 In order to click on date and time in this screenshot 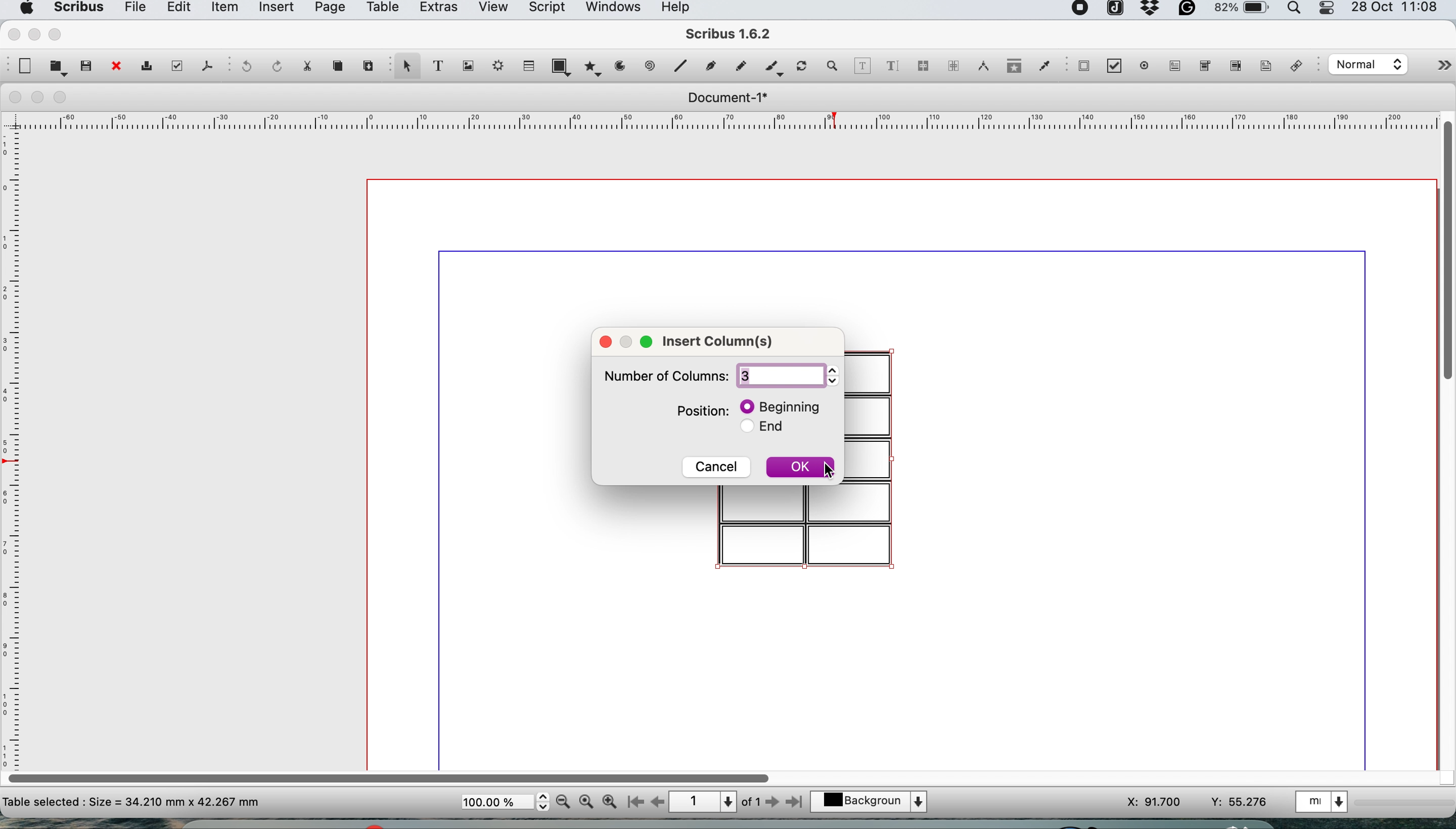, I will do `click(1397, 9)`.